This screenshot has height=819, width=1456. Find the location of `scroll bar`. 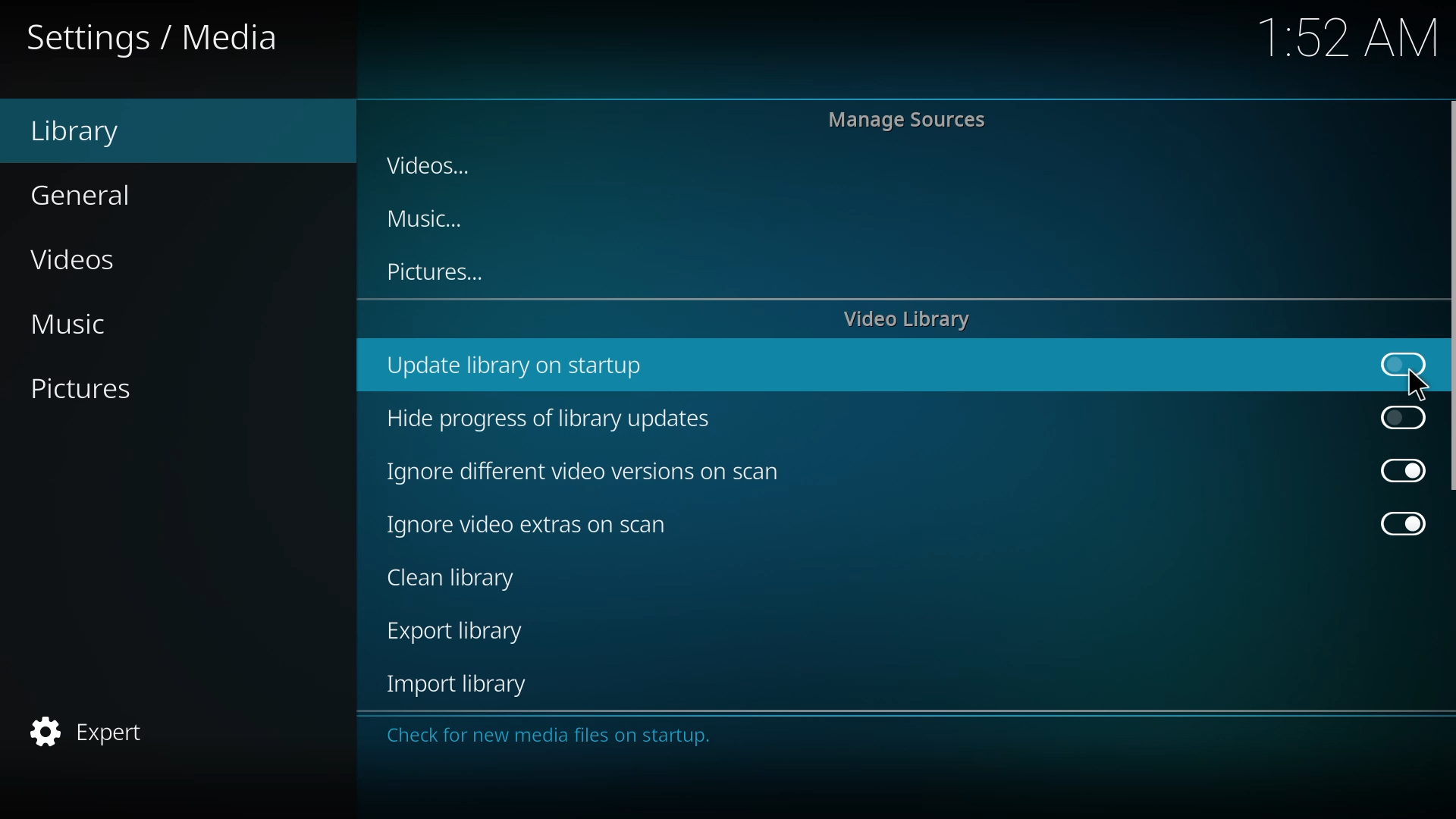

scroll bar is located at coordinates (1454, 296).